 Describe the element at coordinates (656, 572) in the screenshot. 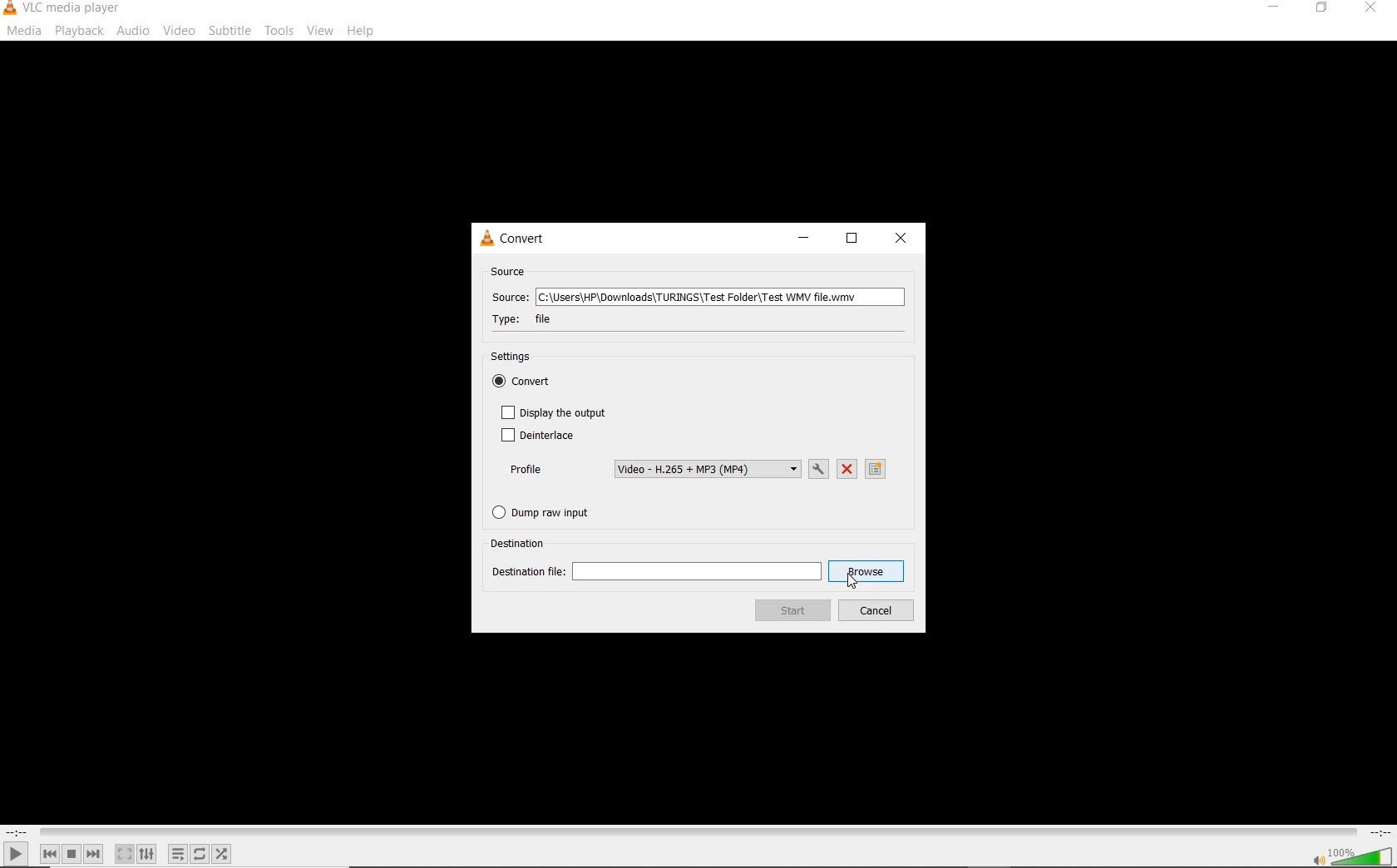

I see `destination file: ` at that location.